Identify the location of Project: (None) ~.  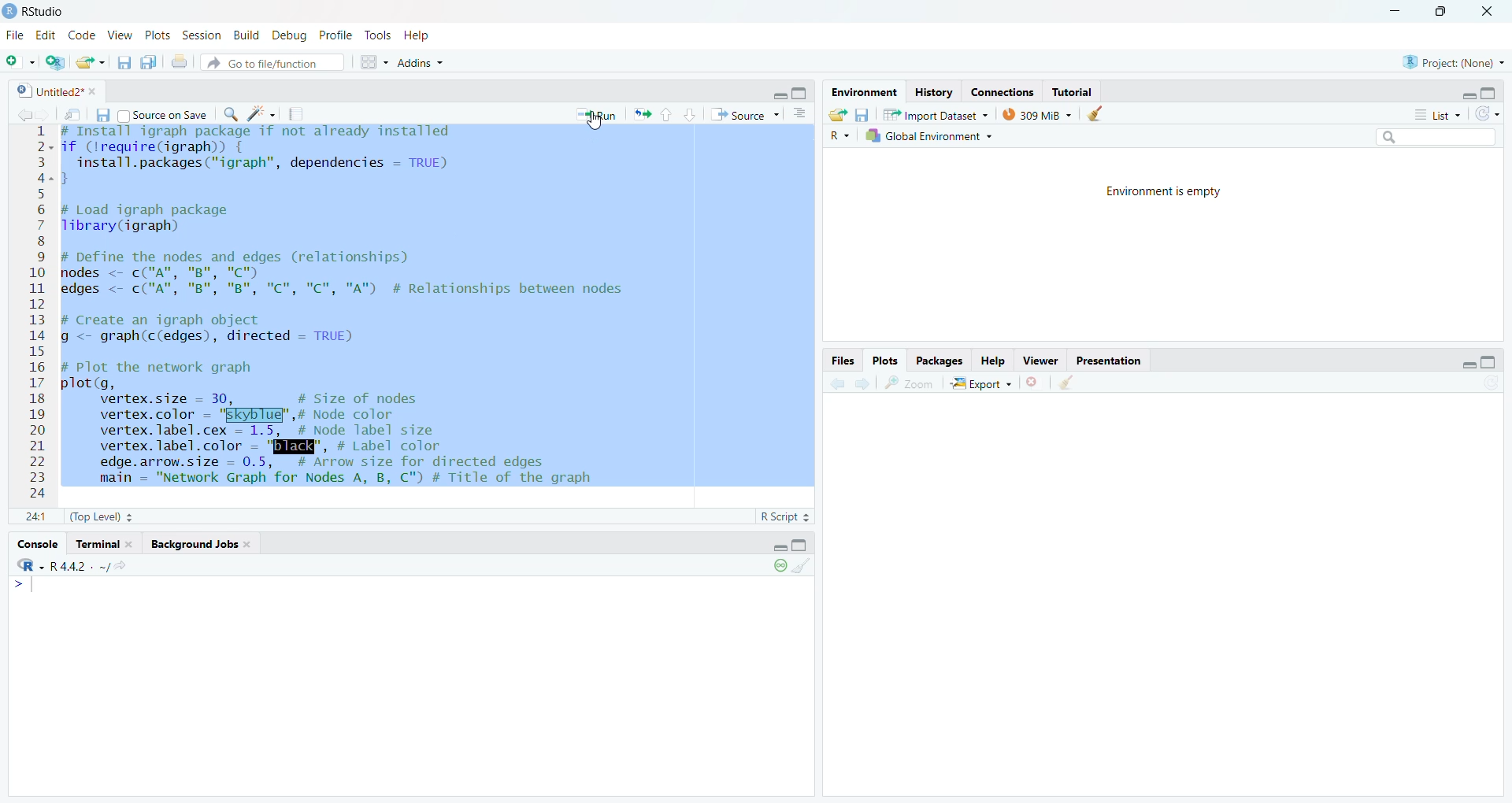
(1453, 61).